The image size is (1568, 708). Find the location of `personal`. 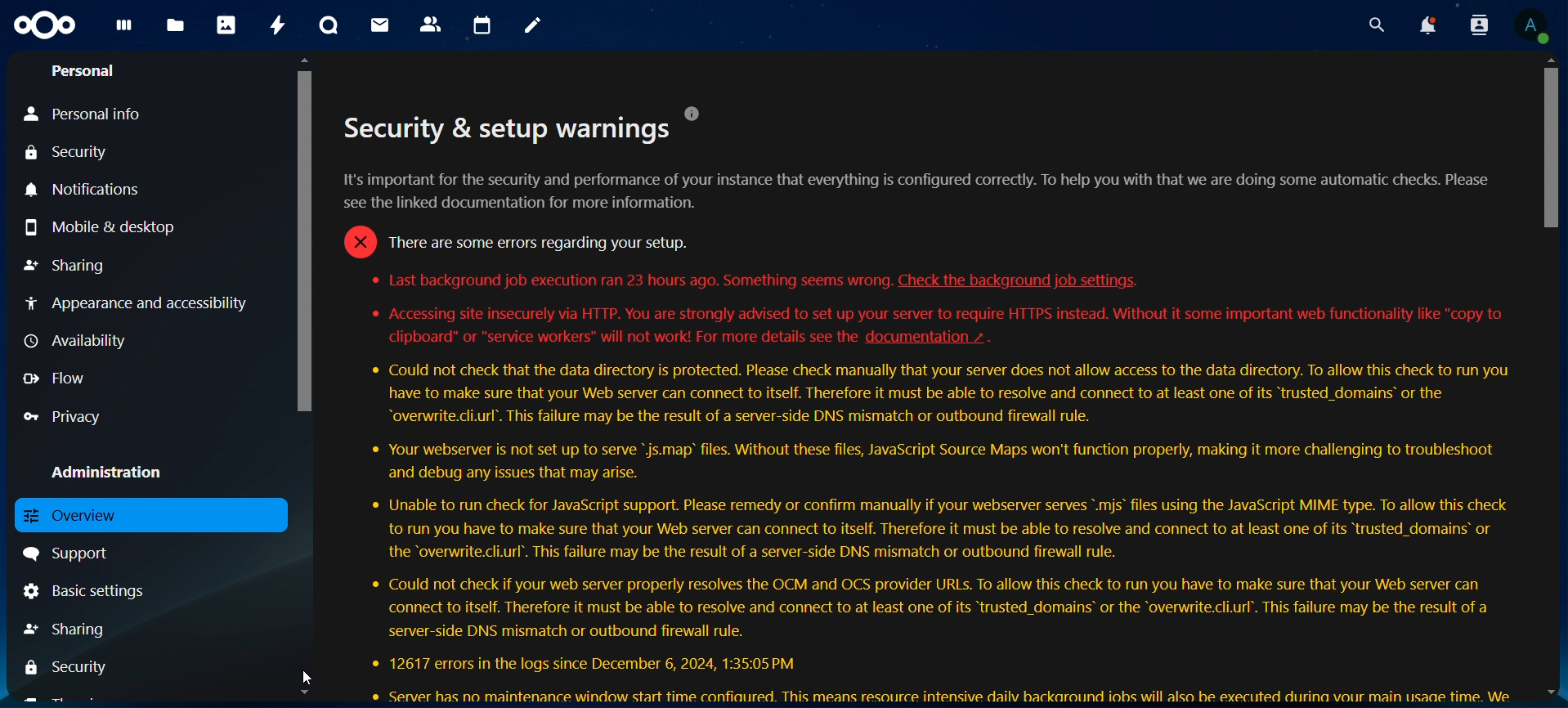

personal is located at coordinates (88, 73).